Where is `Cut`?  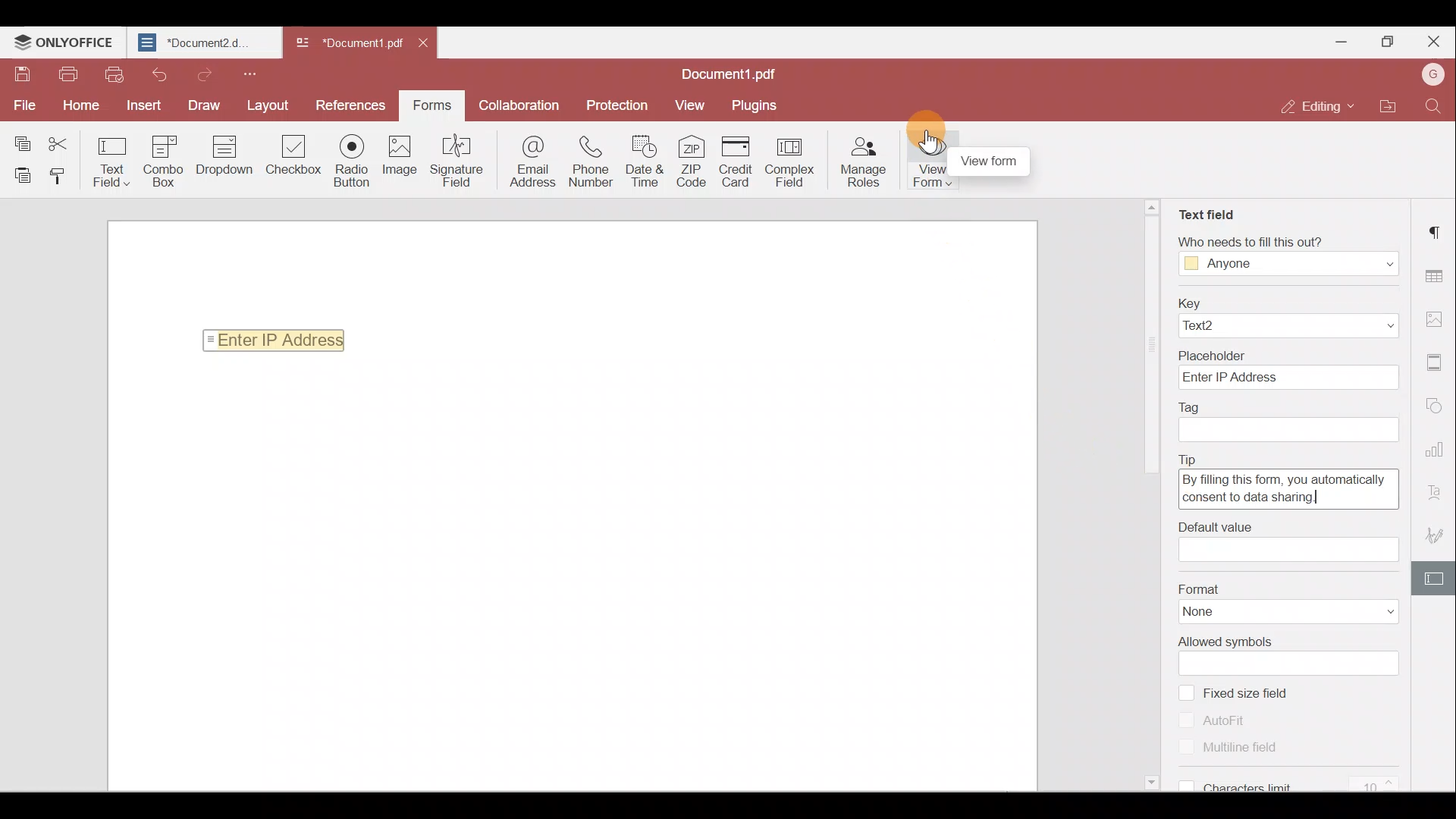
Cut is located at coordinates (64, 140).